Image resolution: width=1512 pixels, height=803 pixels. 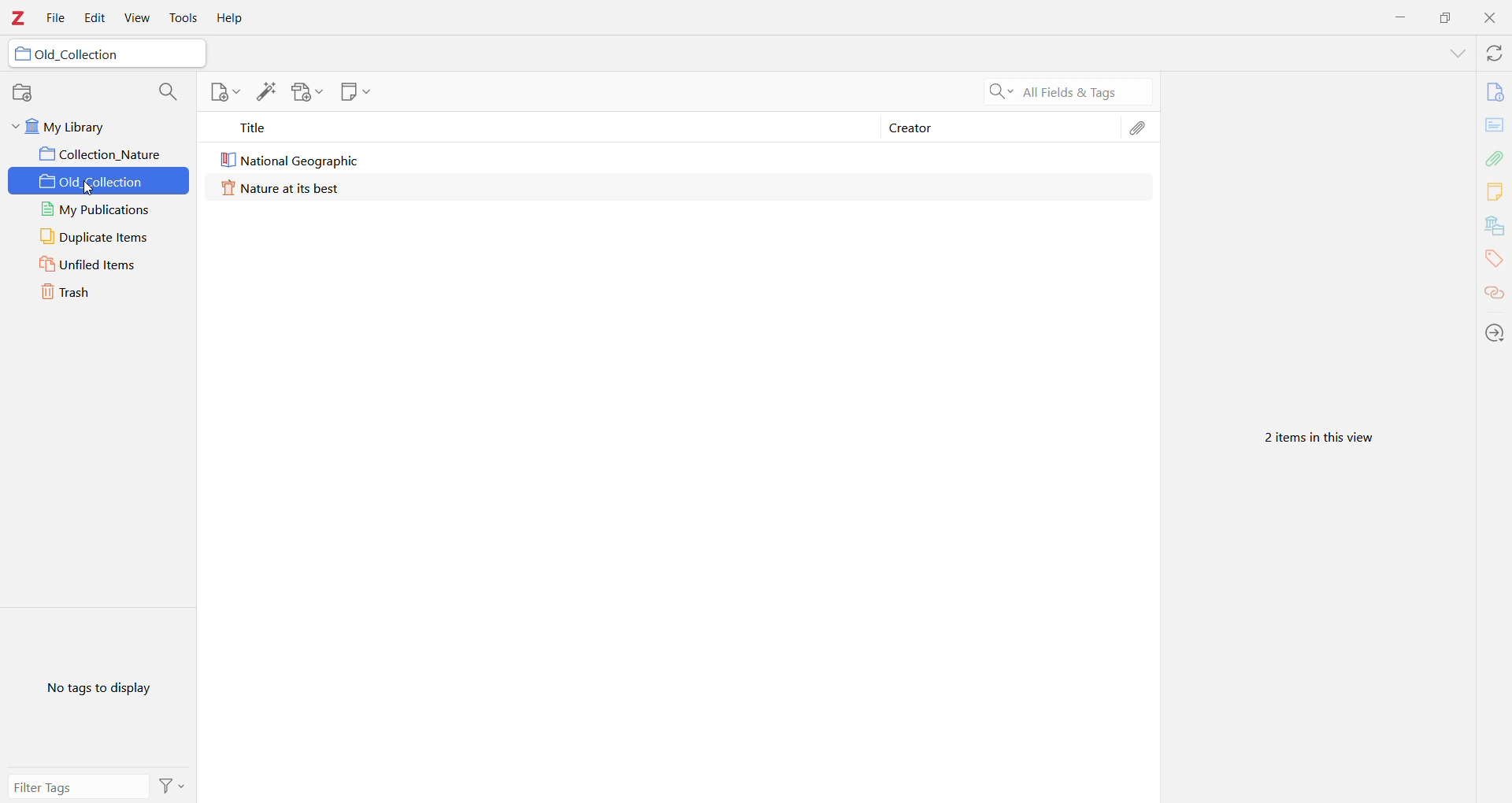 What do you see at coordinates (98, 688) in the screenshot?
I see `No tags to display` at bounding box center [98, 688].